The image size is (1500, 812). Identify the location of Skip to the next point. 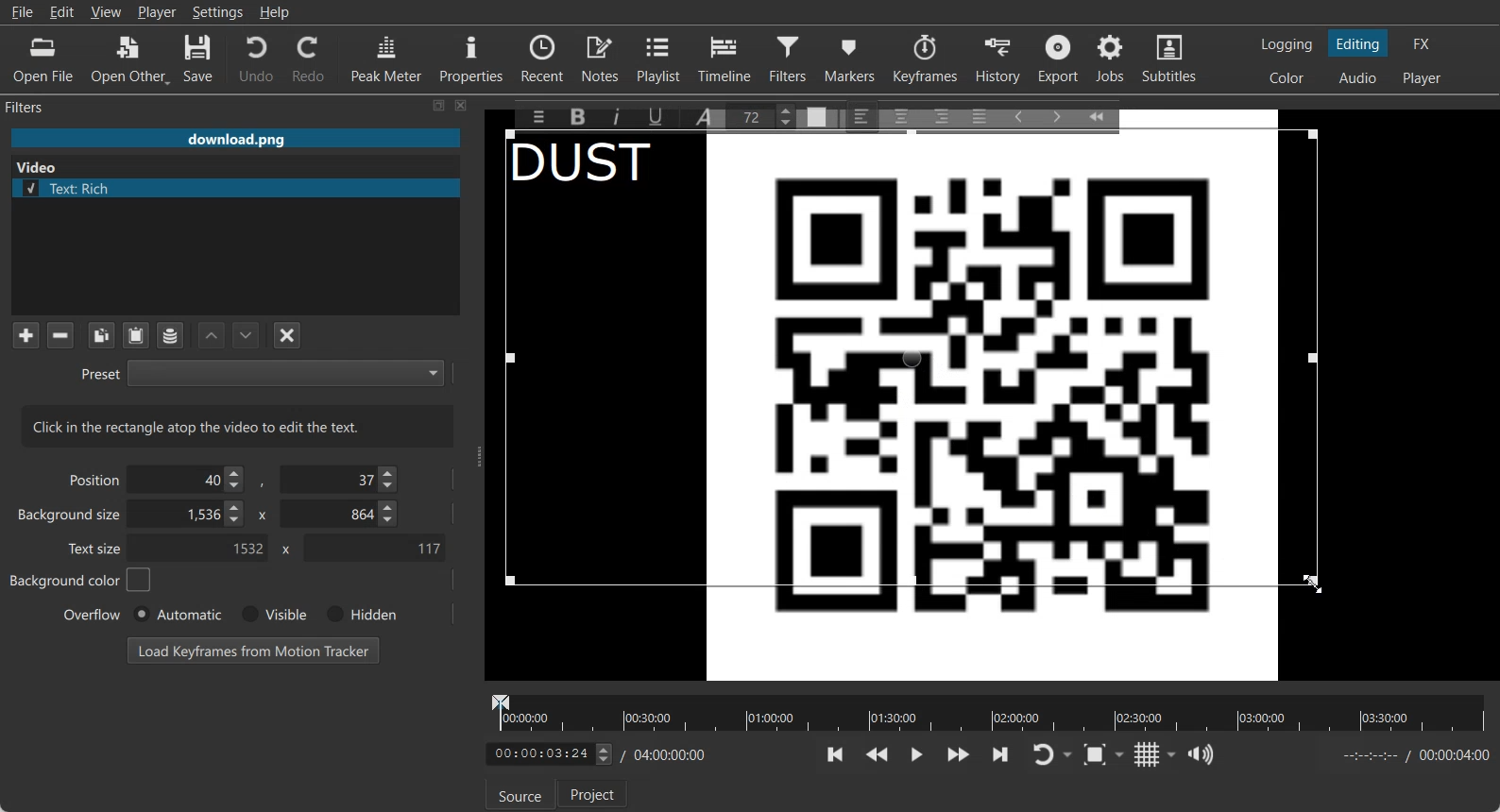
(999, 753).